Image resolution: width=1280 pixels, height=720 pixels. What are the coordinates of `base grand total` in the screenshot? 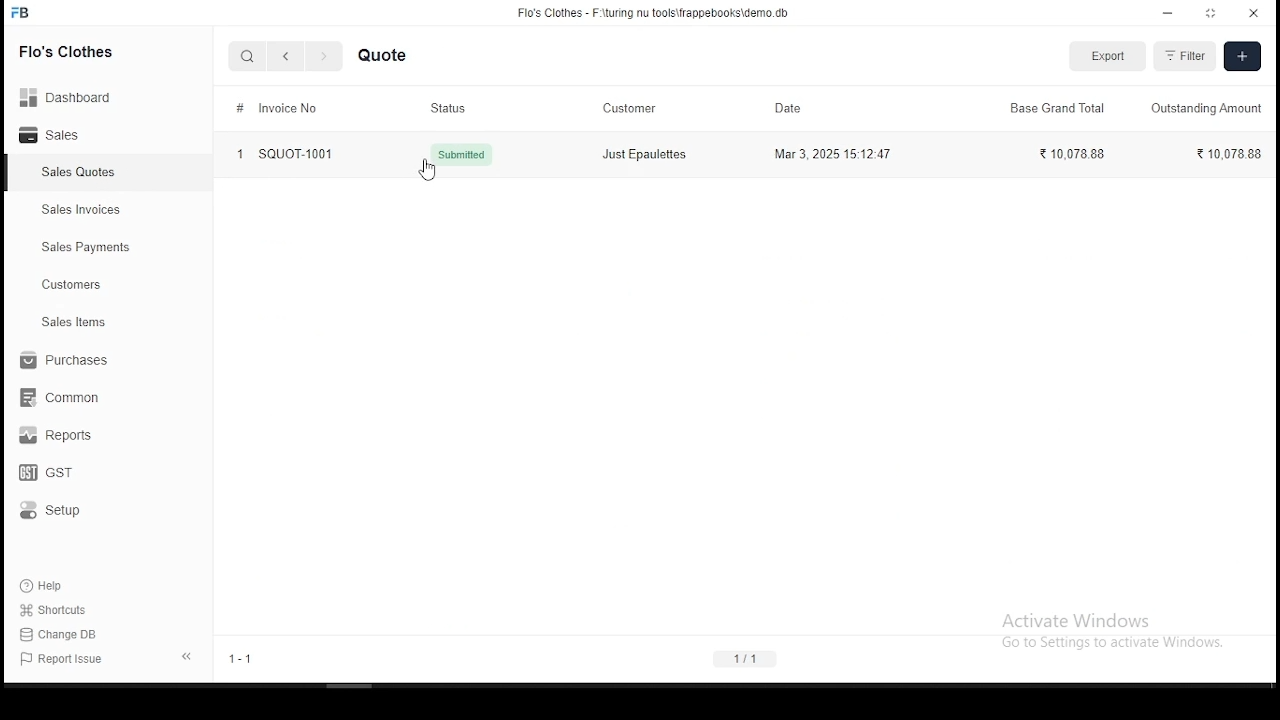 It's located at (1052, 109).